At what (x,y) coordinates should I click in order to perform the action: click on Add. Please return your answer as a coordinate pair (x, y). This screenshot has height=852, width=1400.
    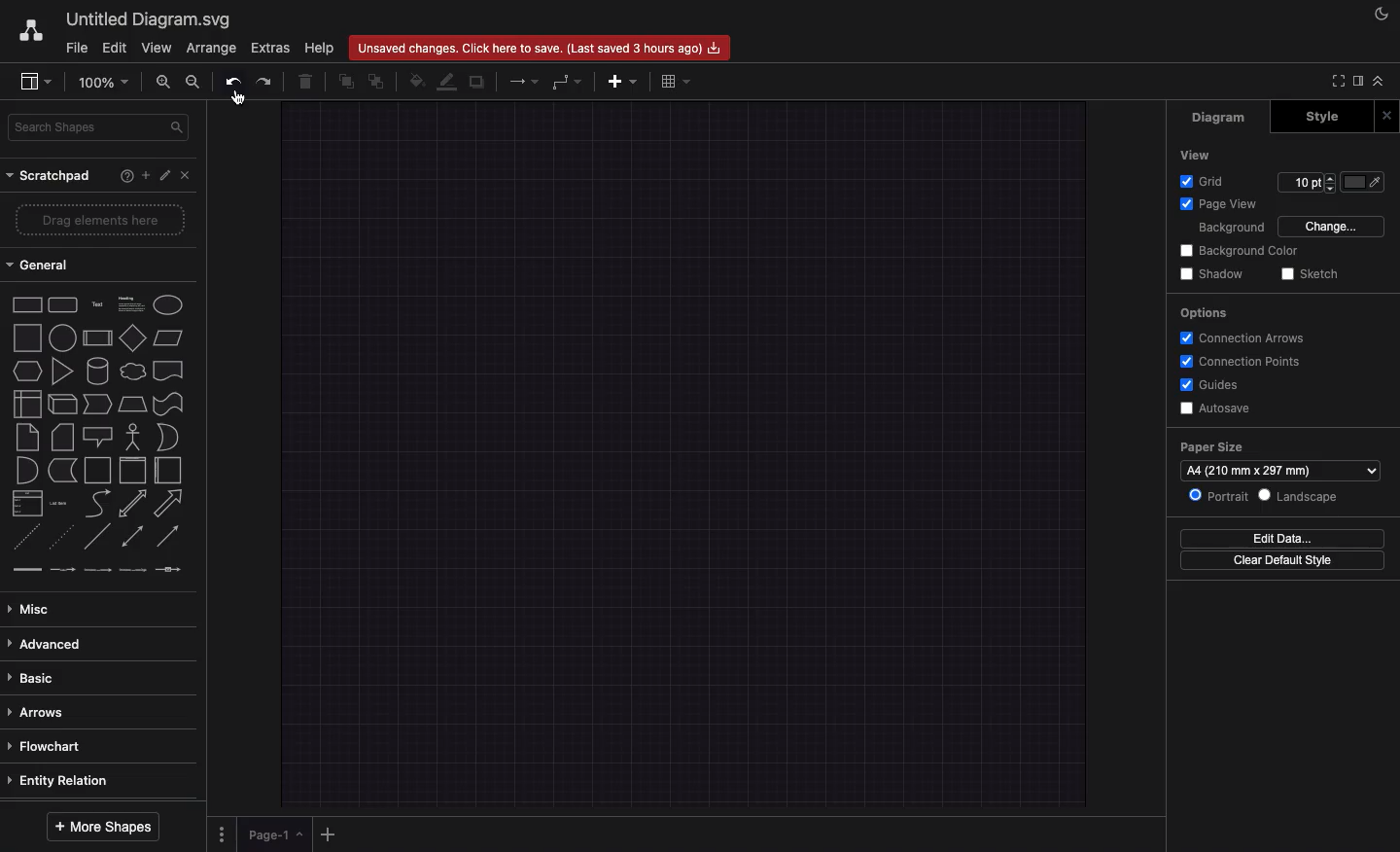
    Looking at the image, I should click on (622, 82).